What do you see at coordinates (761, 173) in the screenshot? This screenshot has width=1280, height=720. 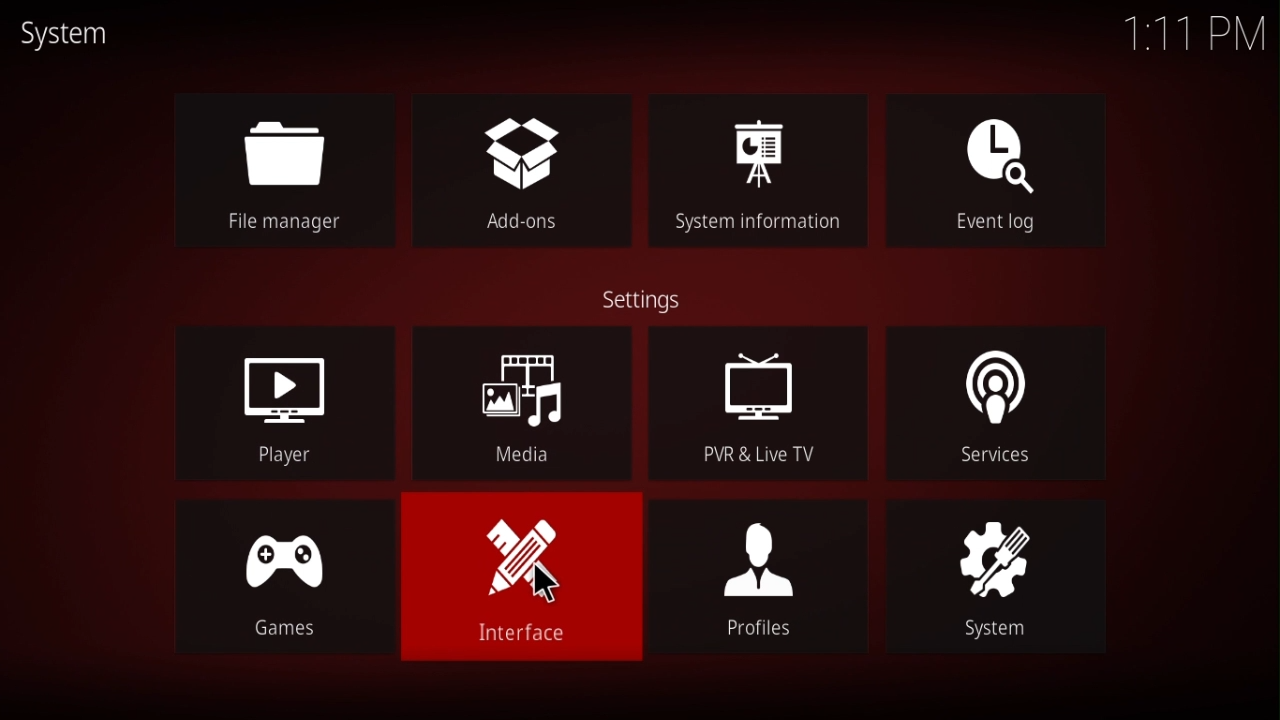 I see `system information` at bounding box center [761, 173].